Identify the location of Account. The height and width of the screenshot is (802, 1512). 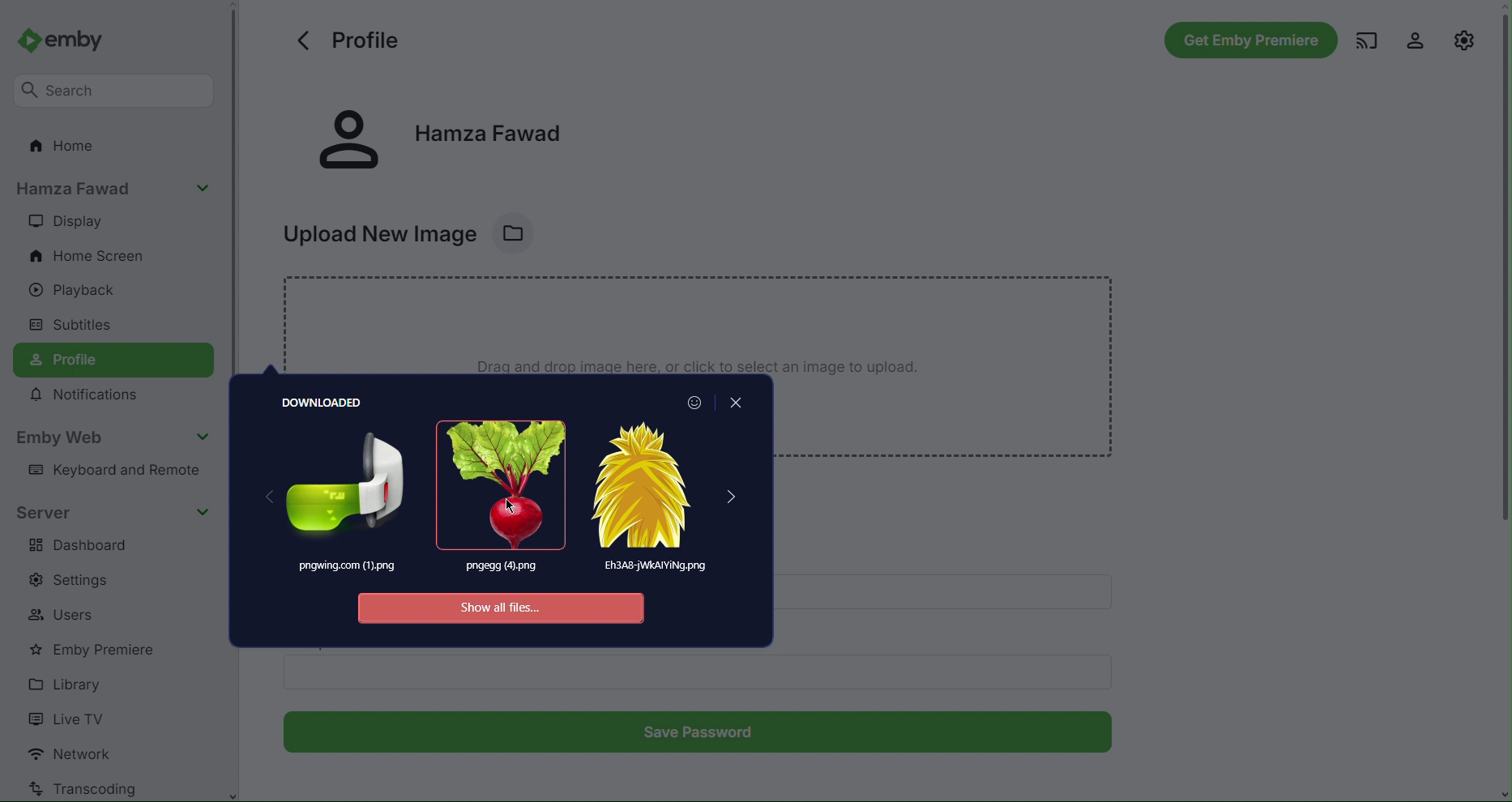
(442, 136).